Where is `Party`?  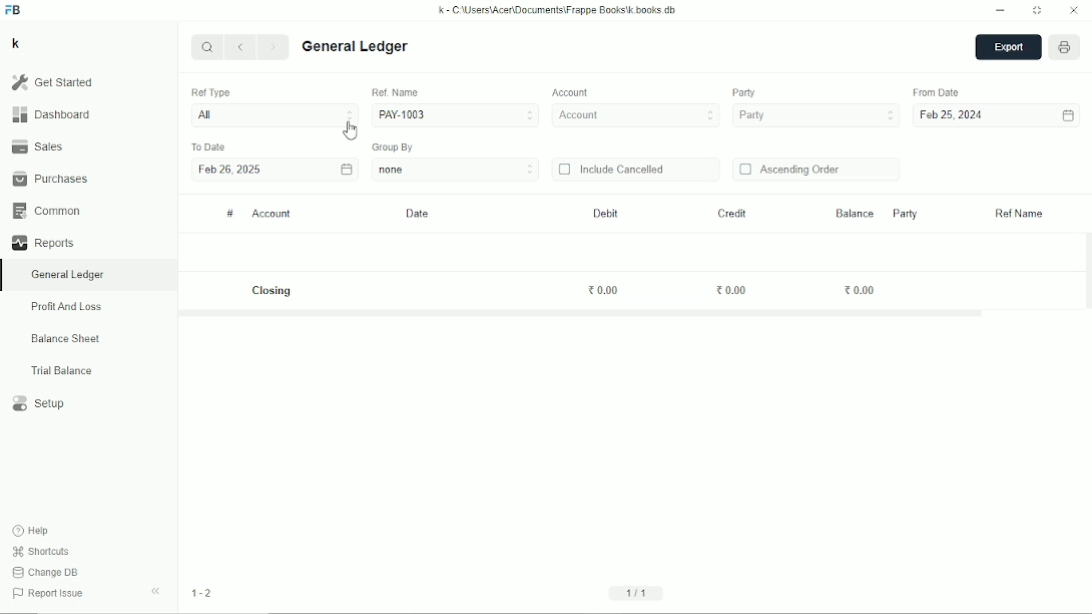 Party is located at coordinates (816, 116).